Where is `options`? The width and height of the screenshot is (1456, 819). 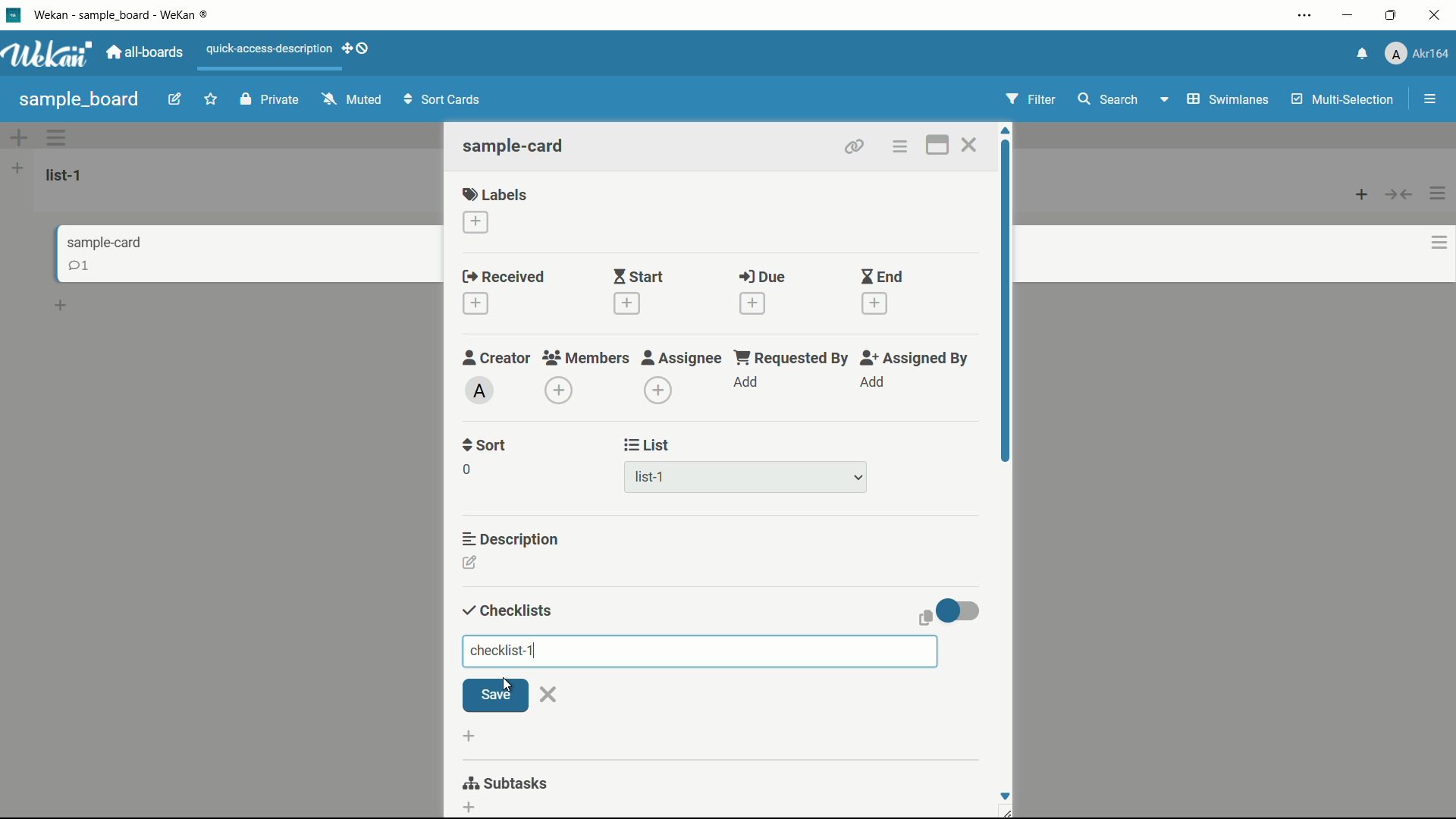 options is located at coordinates (60, 137).